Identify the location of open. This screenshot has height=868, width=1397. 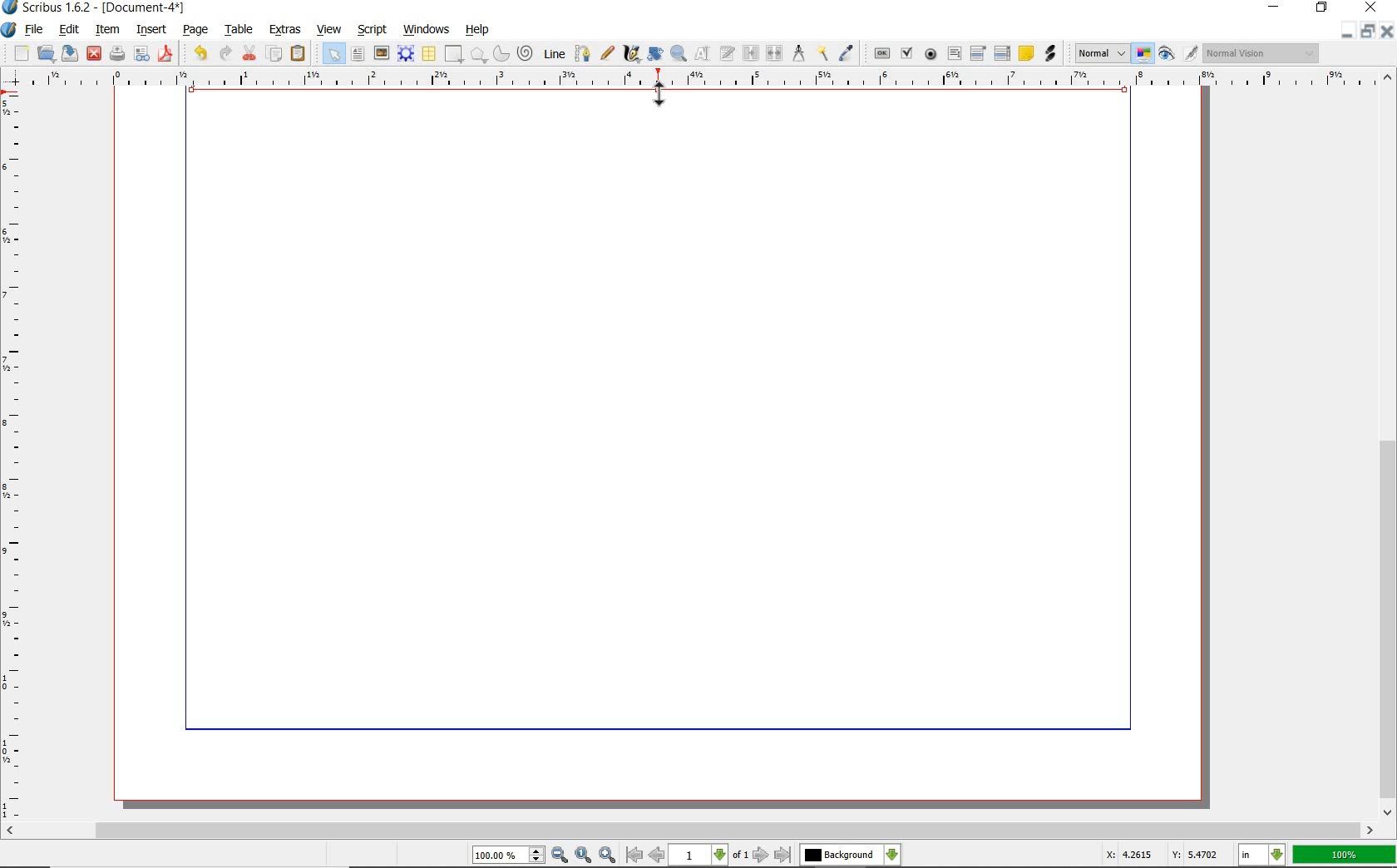
(47, 54).